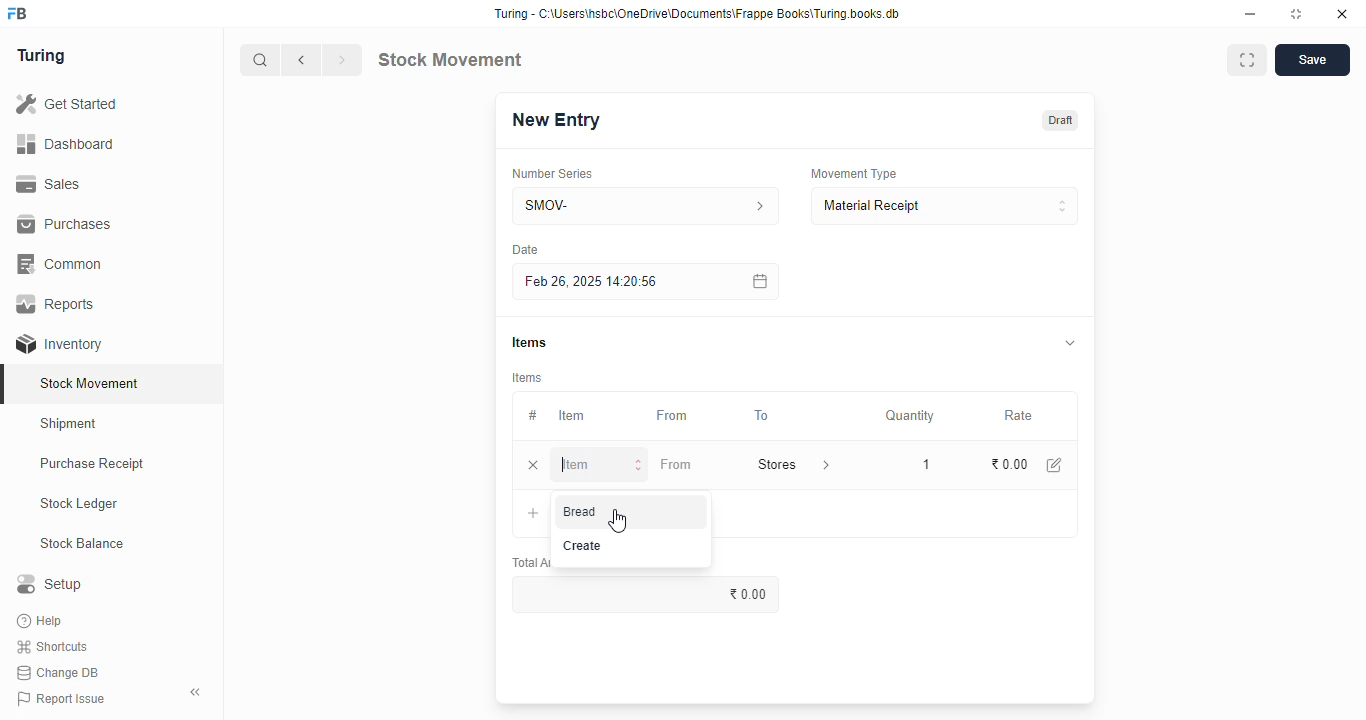  Describe the element at coordinates (61, 698) in the screenshot. I see `report issue` at that location.